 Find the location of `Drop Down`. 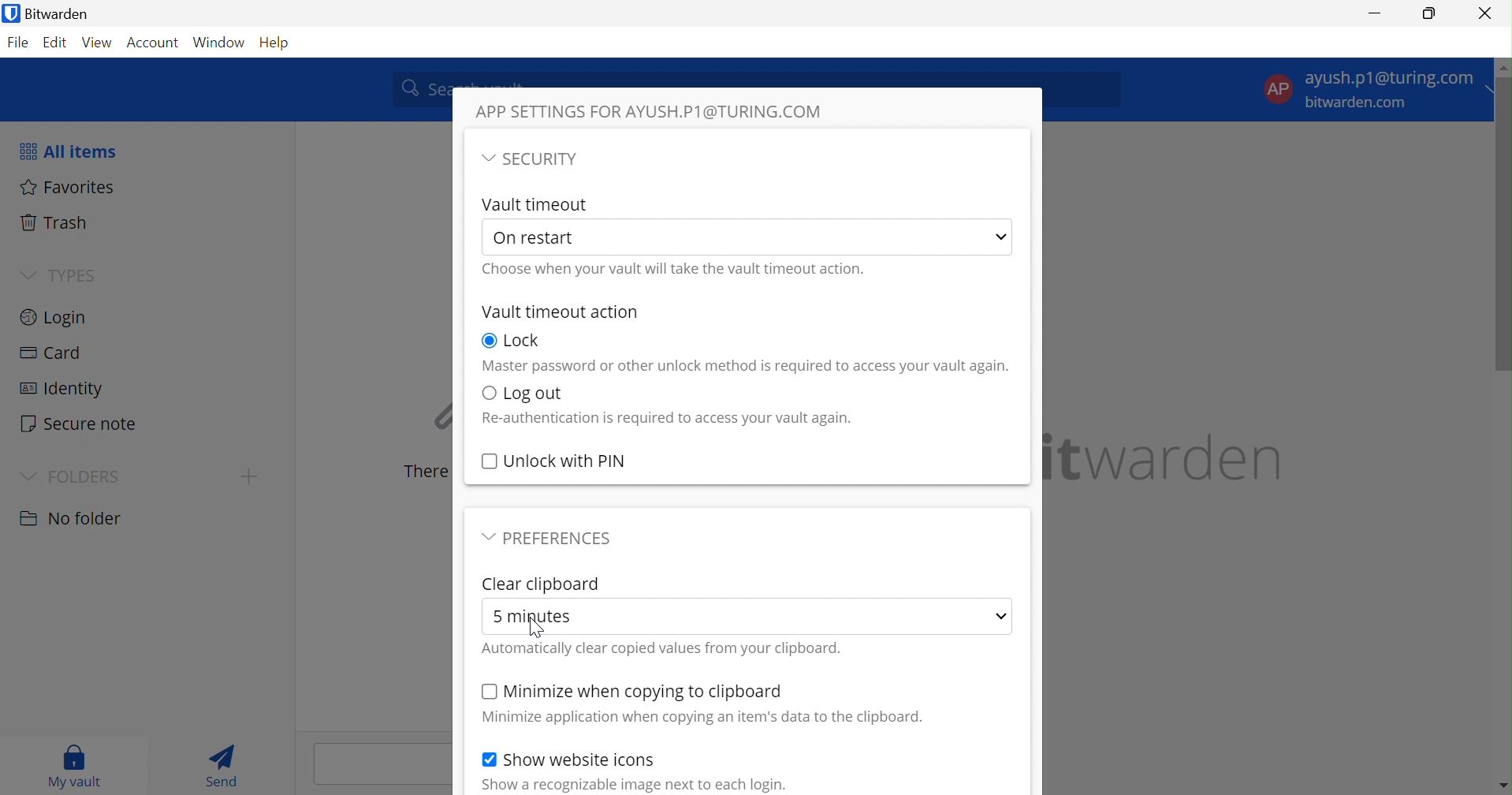

Drop Down is located at coordinates (1003, 237).